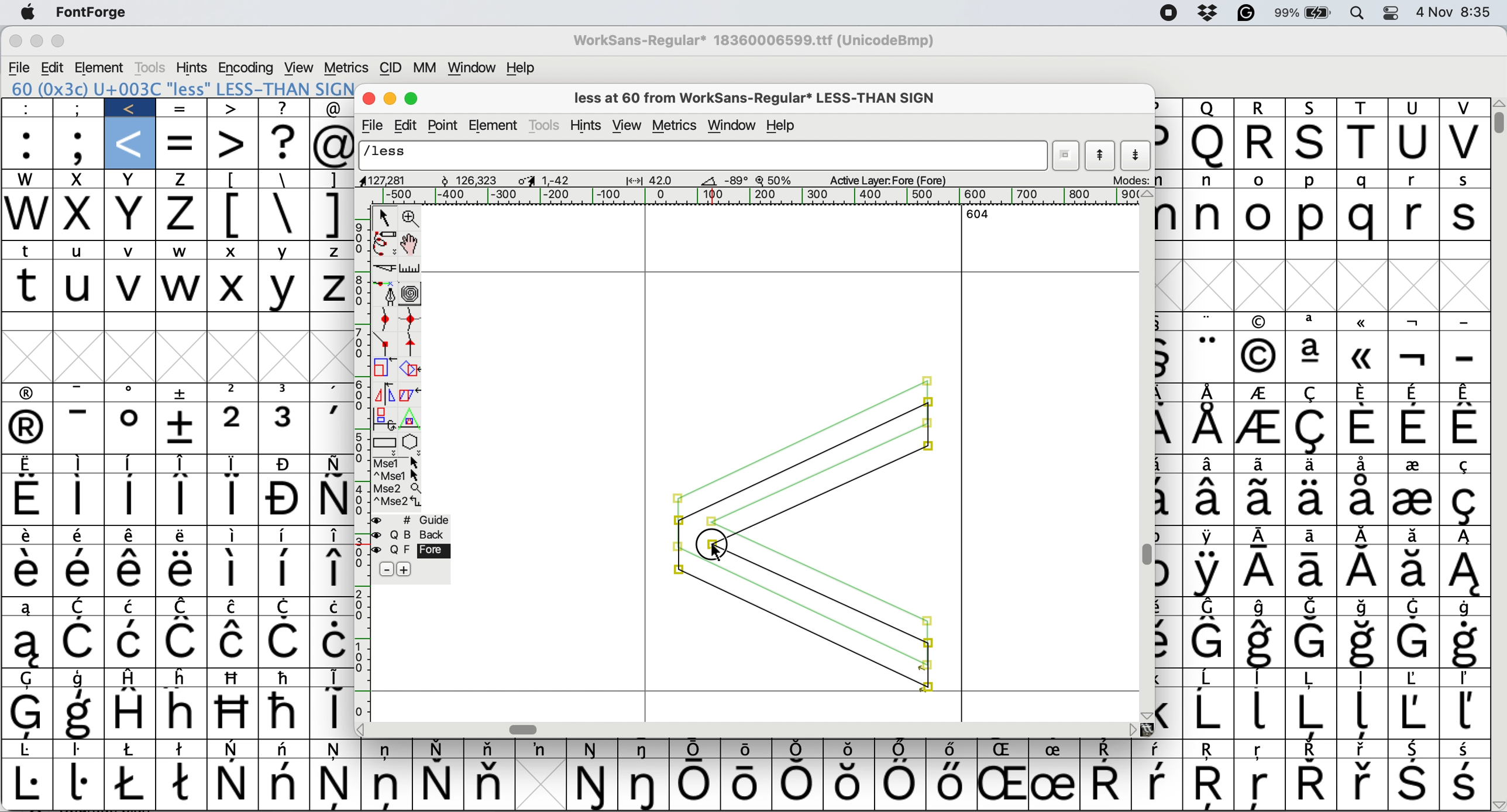 The width and height of the screenshot is (1507, 812). What do you see at coordinates (329, 605) in the screenshot?
I see `Symbol` at bounding box center [329, 605].